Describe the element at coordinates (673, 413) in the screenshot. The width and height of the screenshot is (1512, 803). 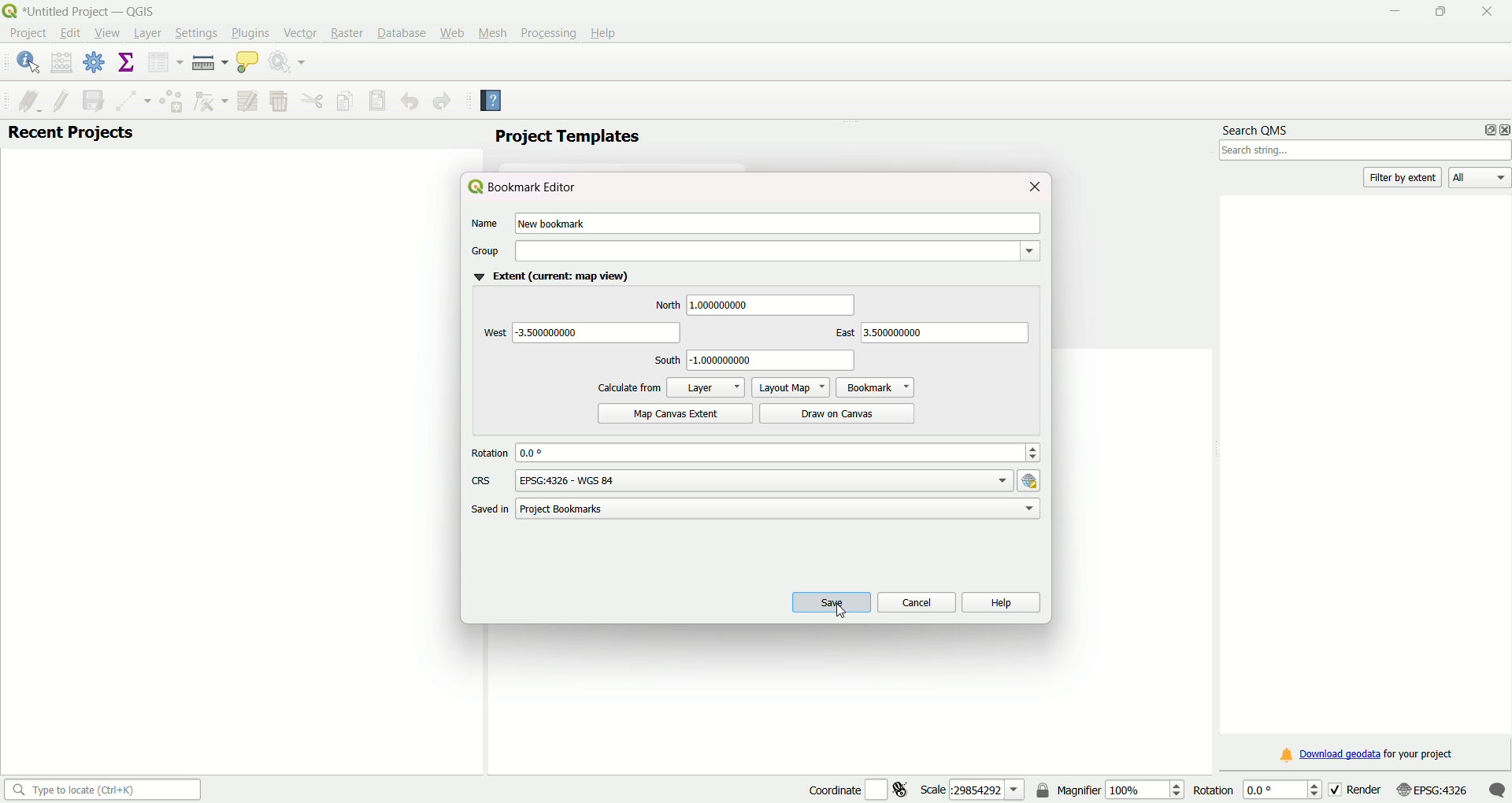
I see `map canvas extent` at that location.